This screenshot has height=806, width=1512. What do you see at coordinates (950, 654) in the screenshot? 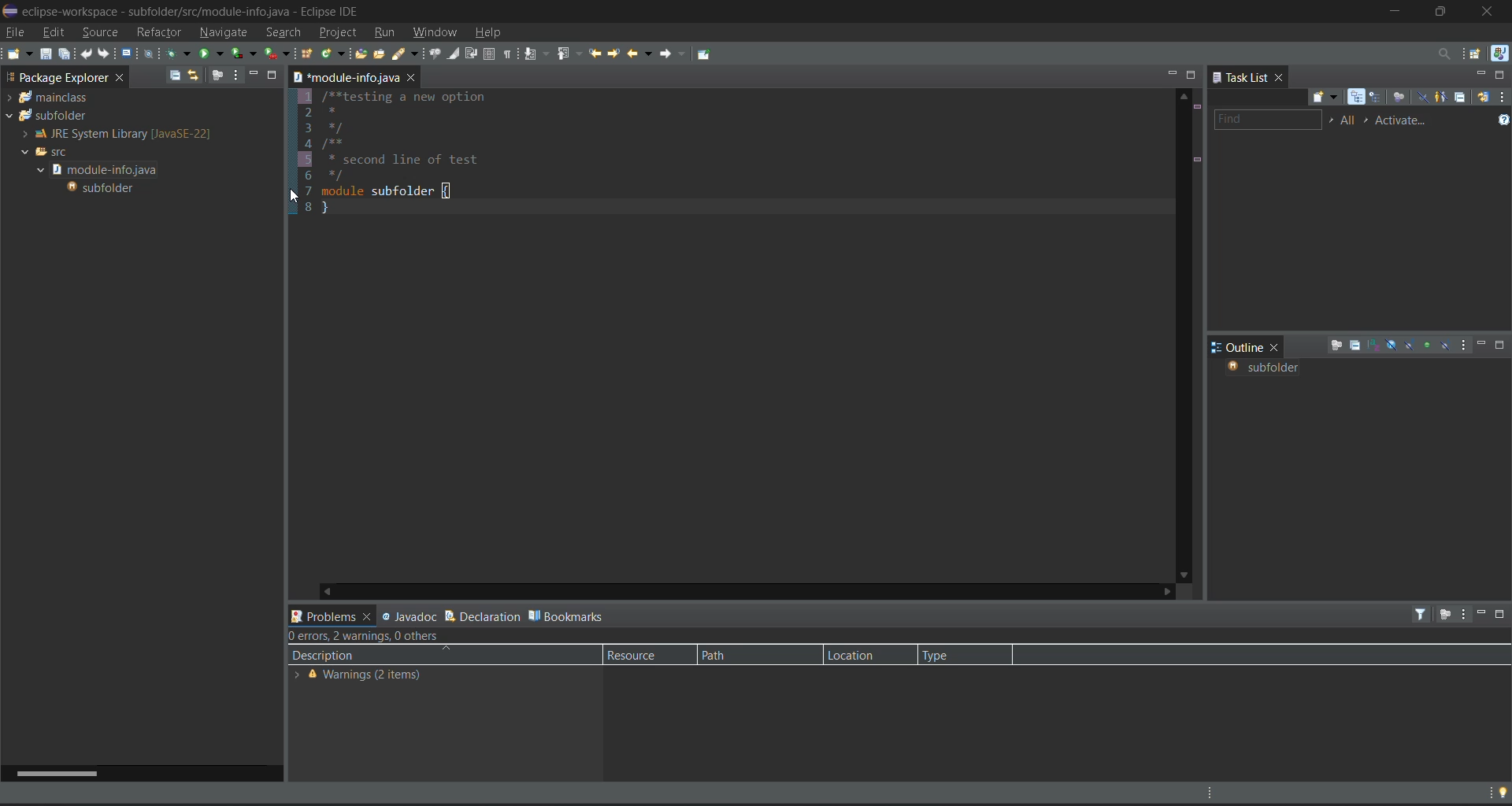
I see `type` at bounding box center [950, 654].